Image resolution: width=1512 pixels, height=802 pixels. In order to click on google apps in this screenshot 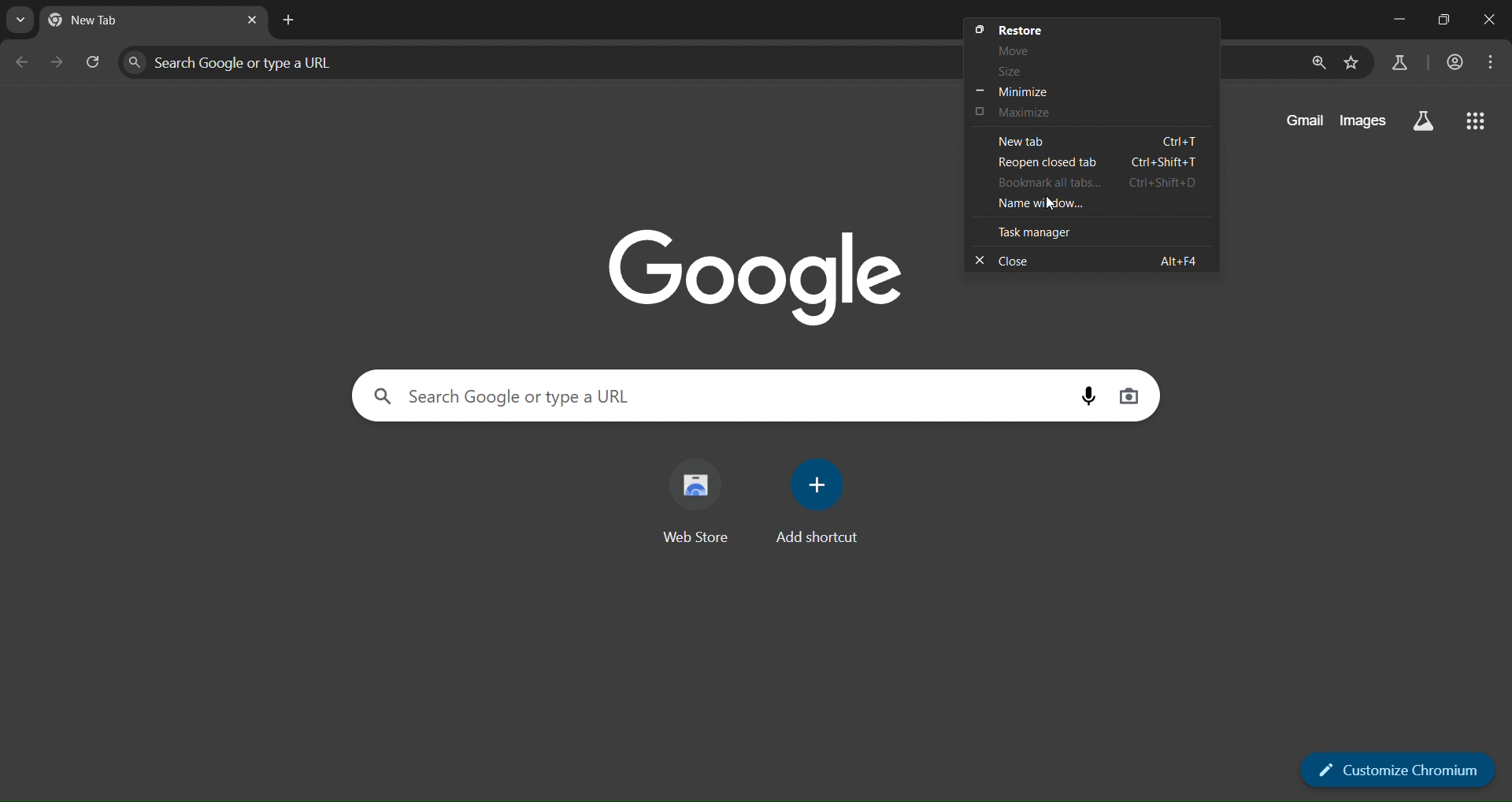, I will do `click(1480, 121)`.